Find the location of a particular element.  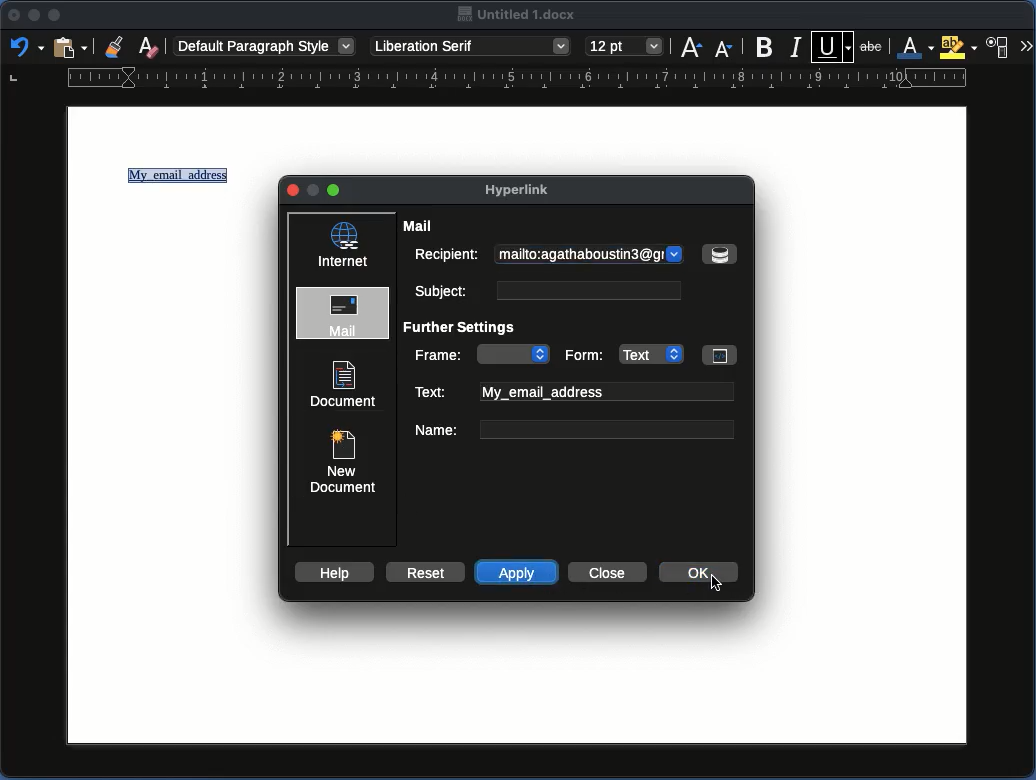

Subject is located at coordinates (544, 290).